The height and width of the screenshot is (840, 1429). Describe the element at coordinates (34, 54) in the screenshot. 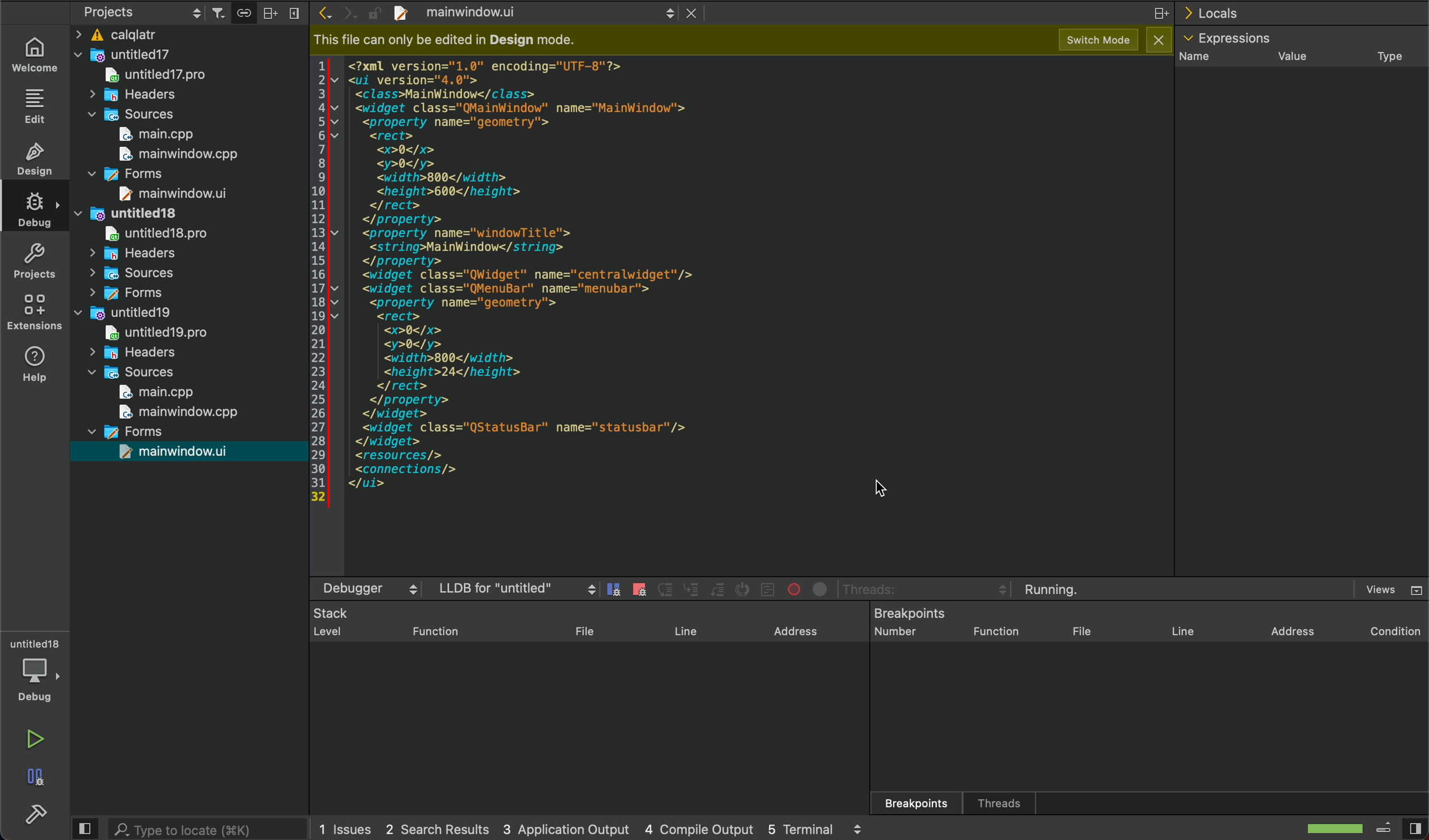

I see `welcome` at that location.